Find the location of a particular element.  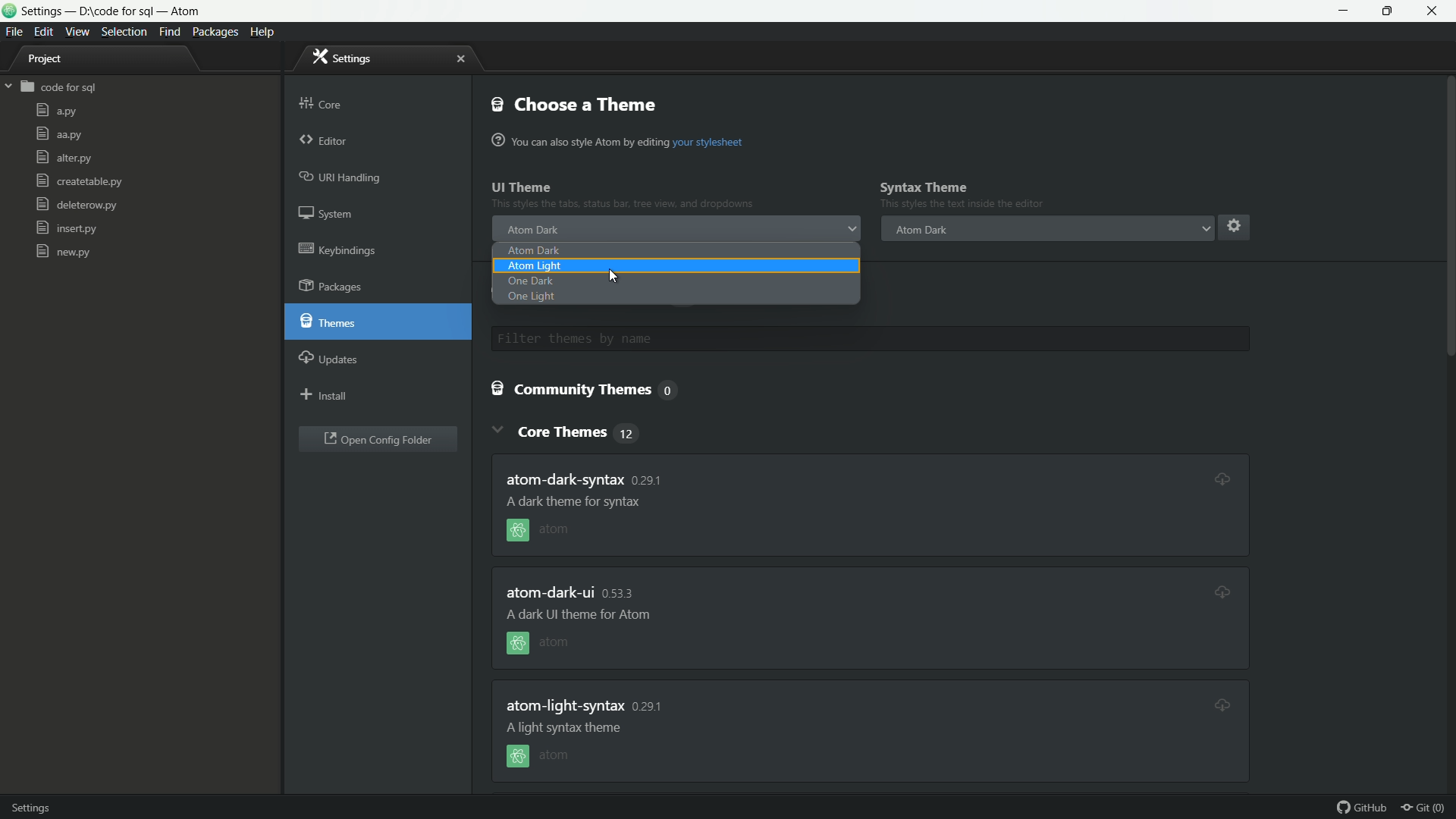

insert.py file is located at coordinates (67, 228).